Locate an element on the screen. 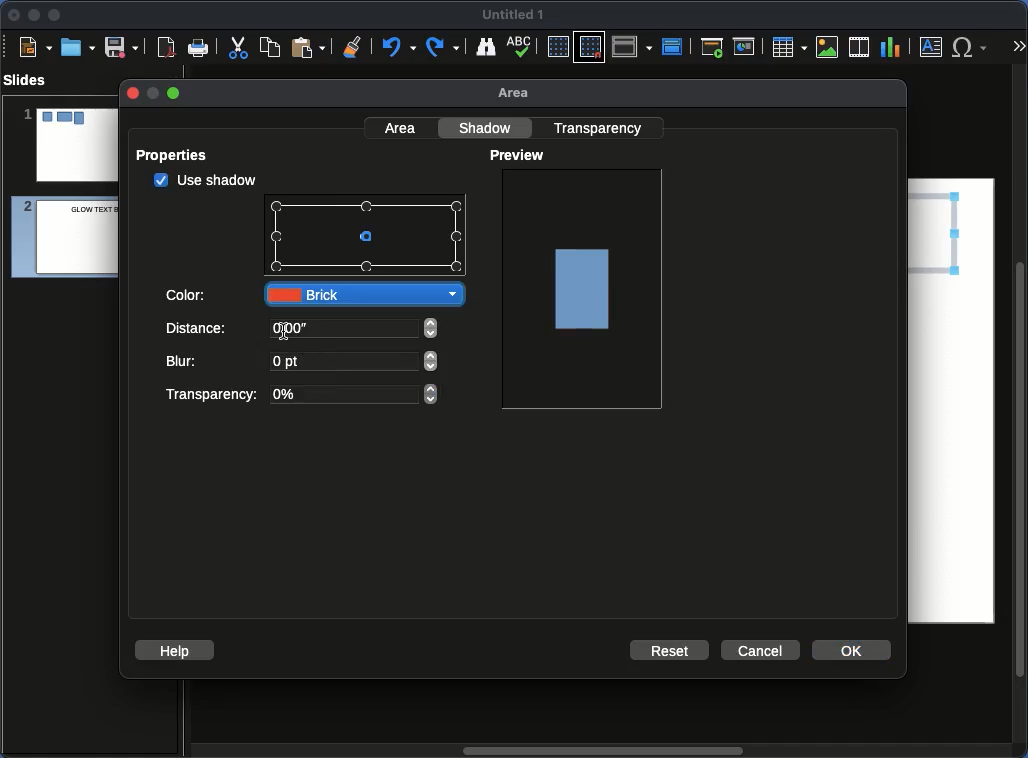  Blur is located at coordinates (303, 363).